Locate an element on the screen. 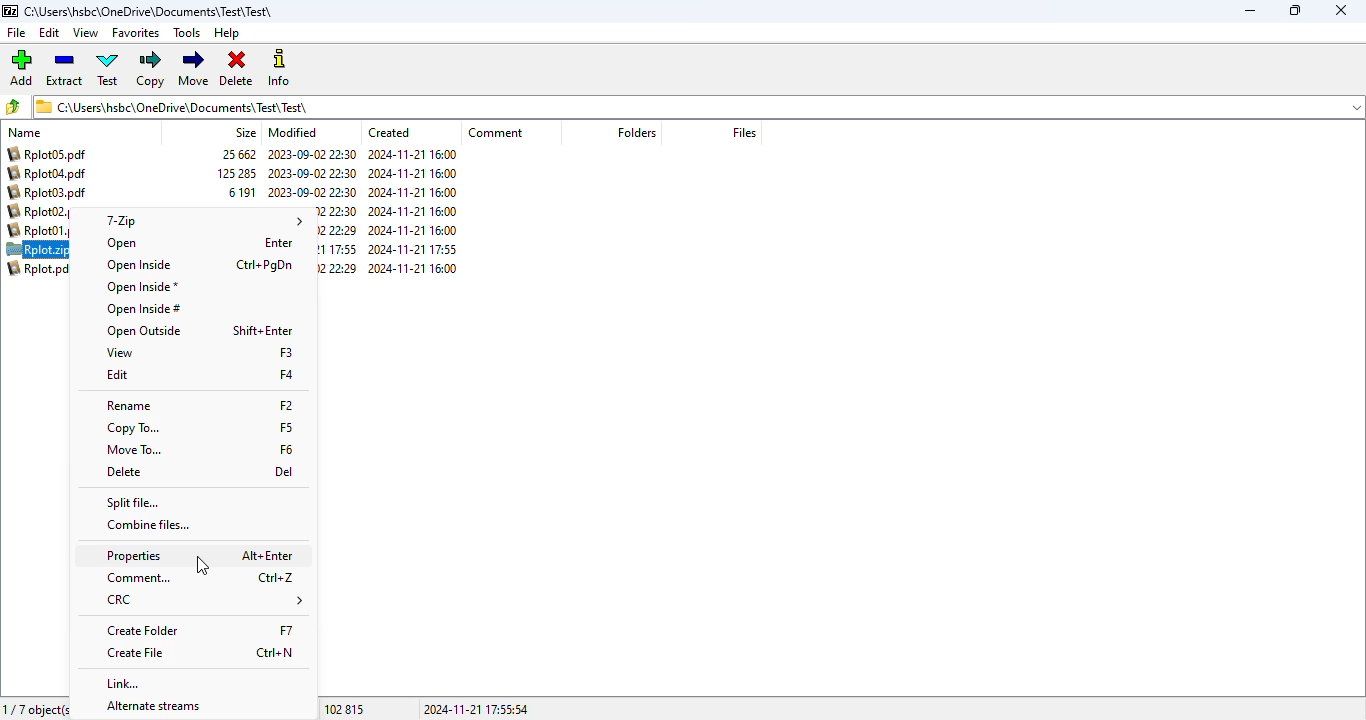 The width and height of the screenshot is (1366, 720). file name is located at coordinates (44, 192).